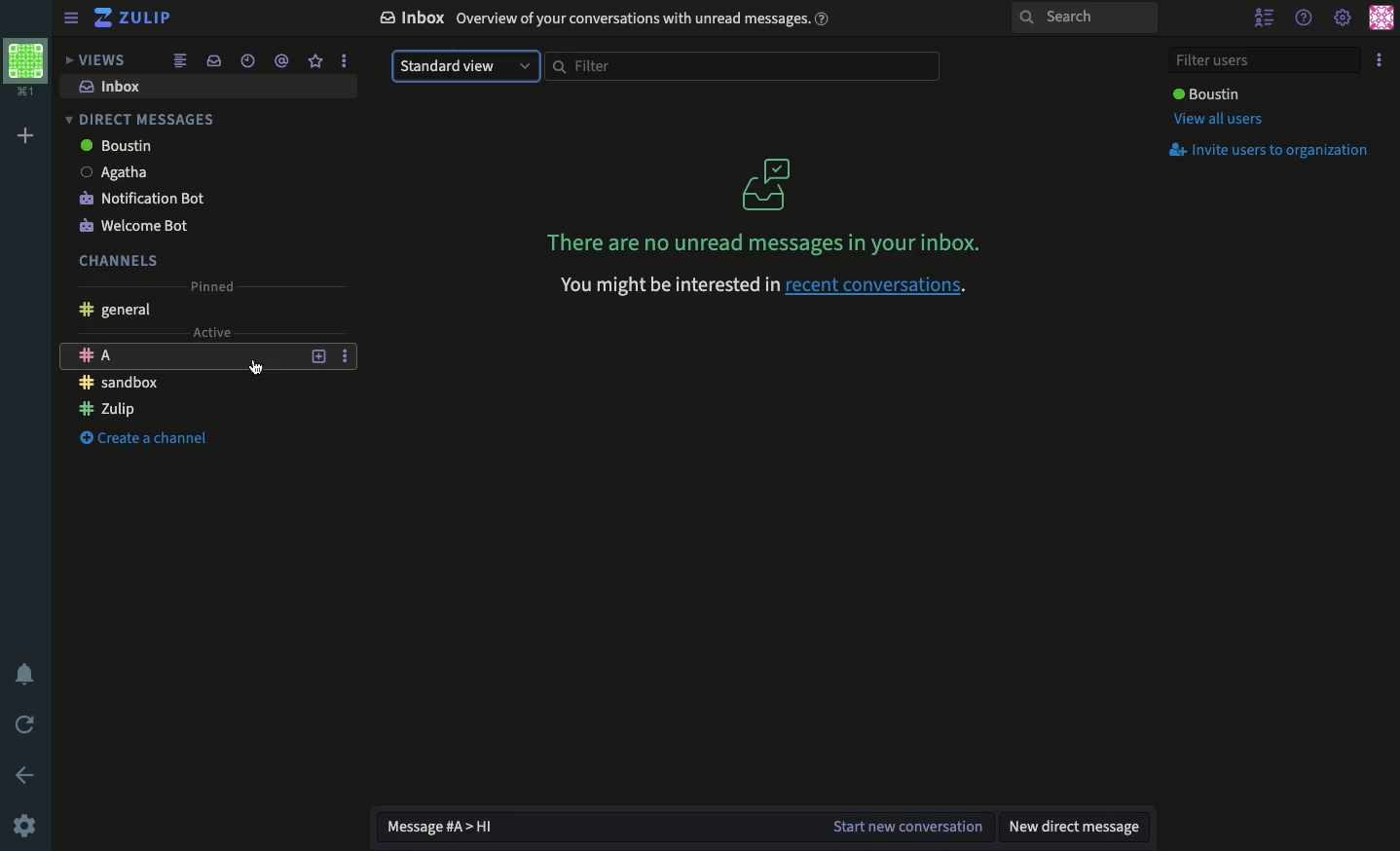  What do you see at coordinates (1266, 61) in the screenshot?
I see `Filter users` at bounding box center [1266, 61].